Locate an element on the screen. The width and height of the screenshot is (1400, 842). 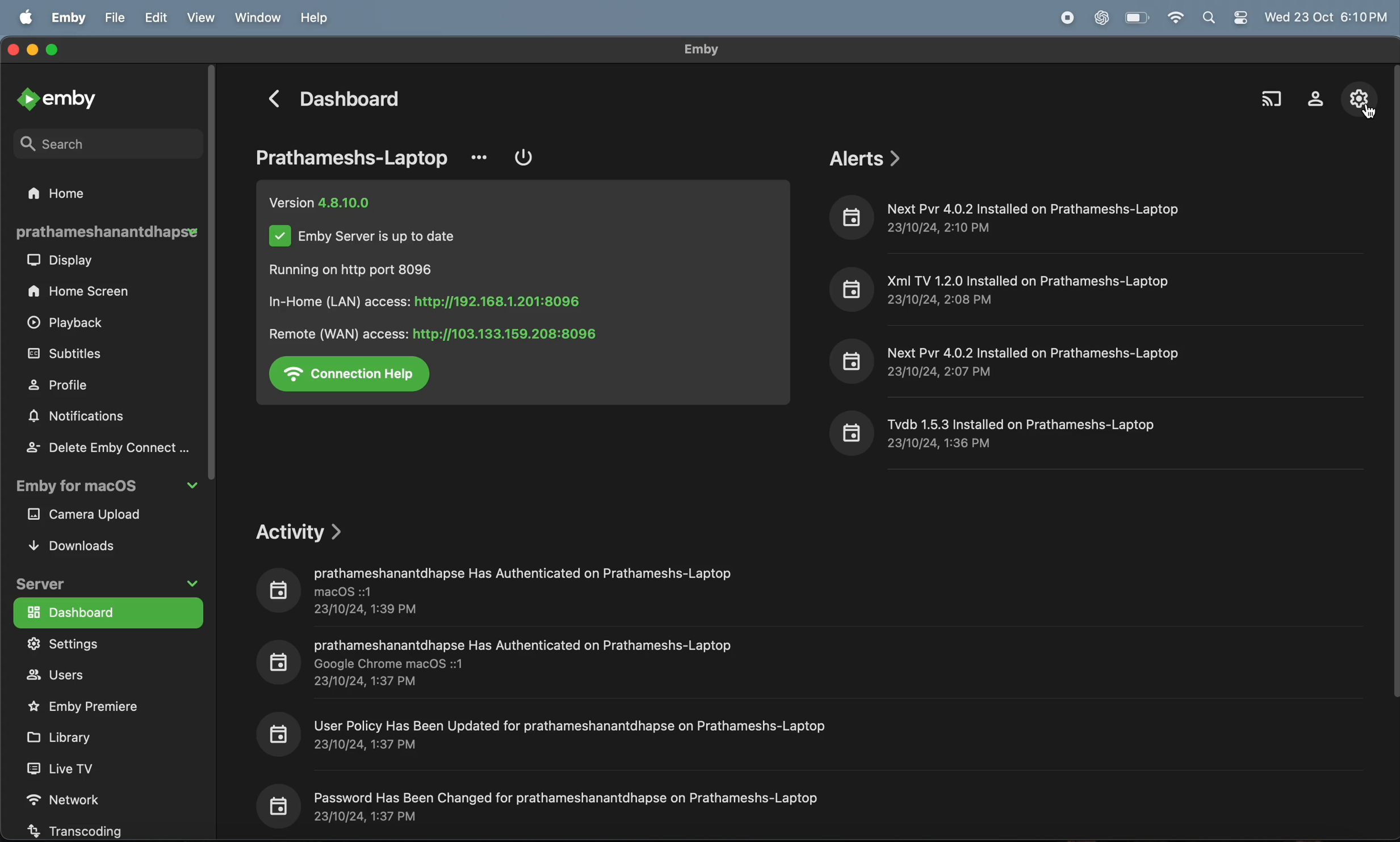
emby is located at coordinates (67, 16).